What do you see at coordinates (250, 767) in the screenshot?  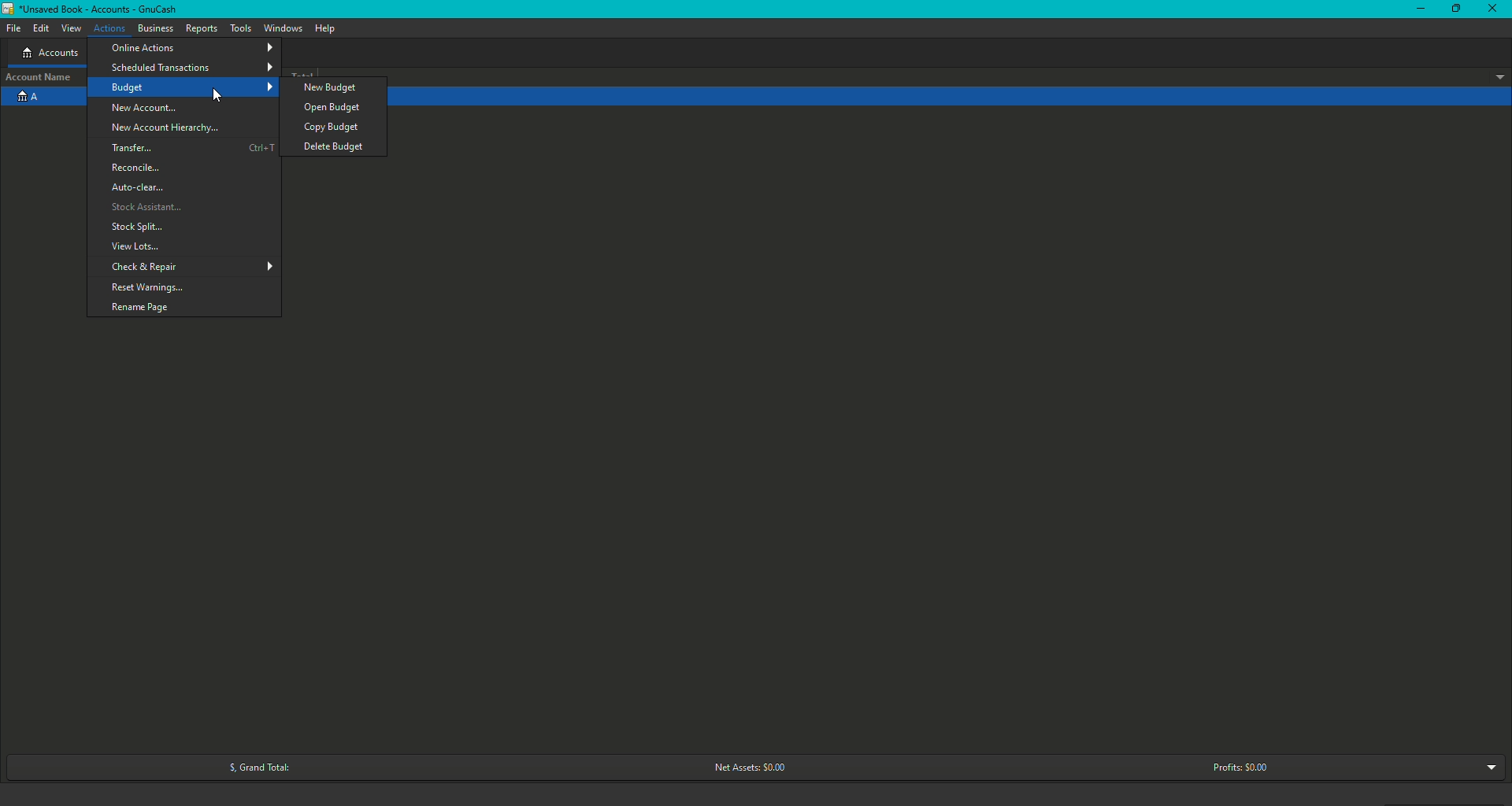 I see `Grand Total` at bounding box center [250, 767].